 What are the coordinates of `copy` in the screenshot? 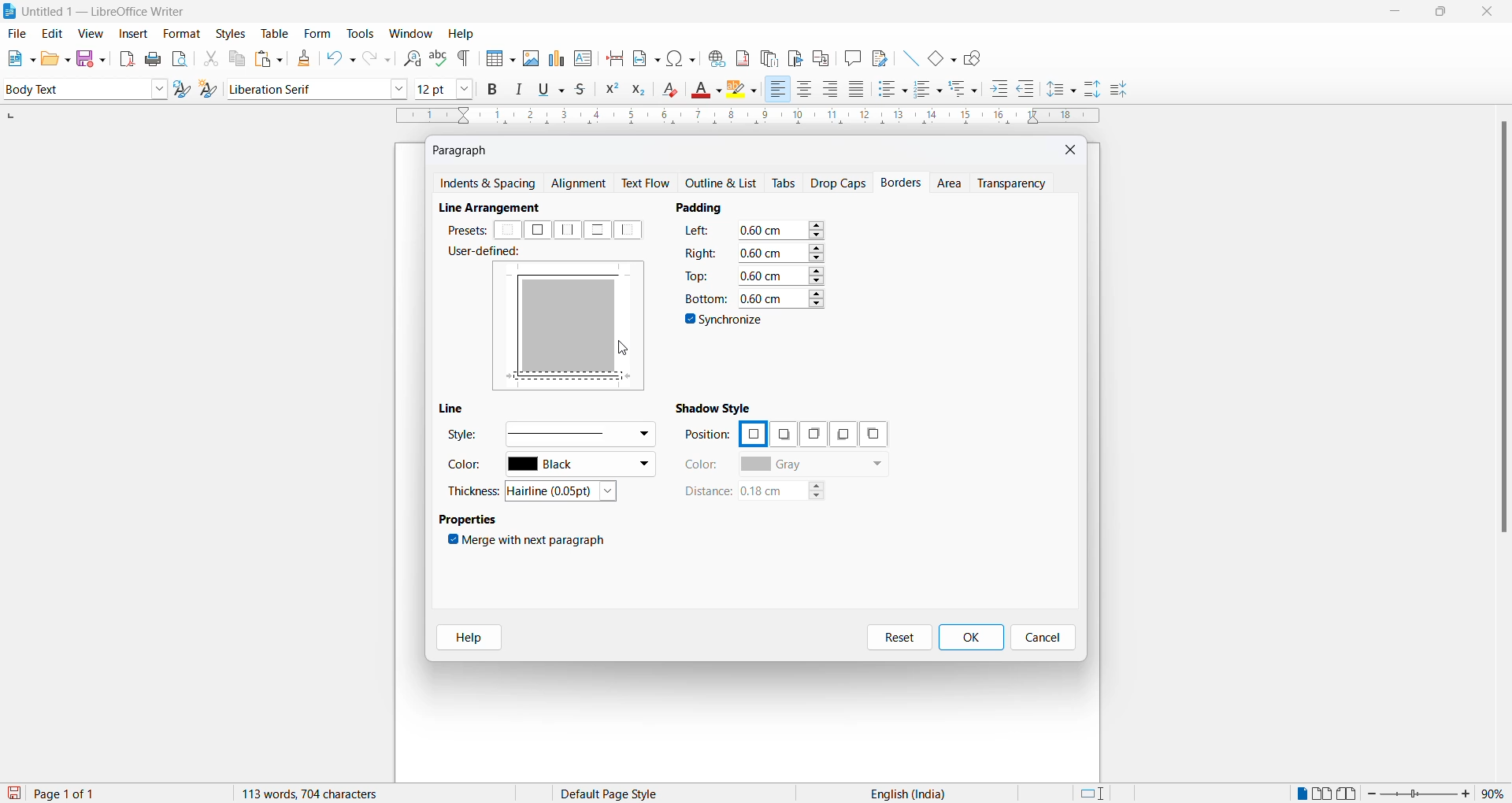 It's located at (235, 58).